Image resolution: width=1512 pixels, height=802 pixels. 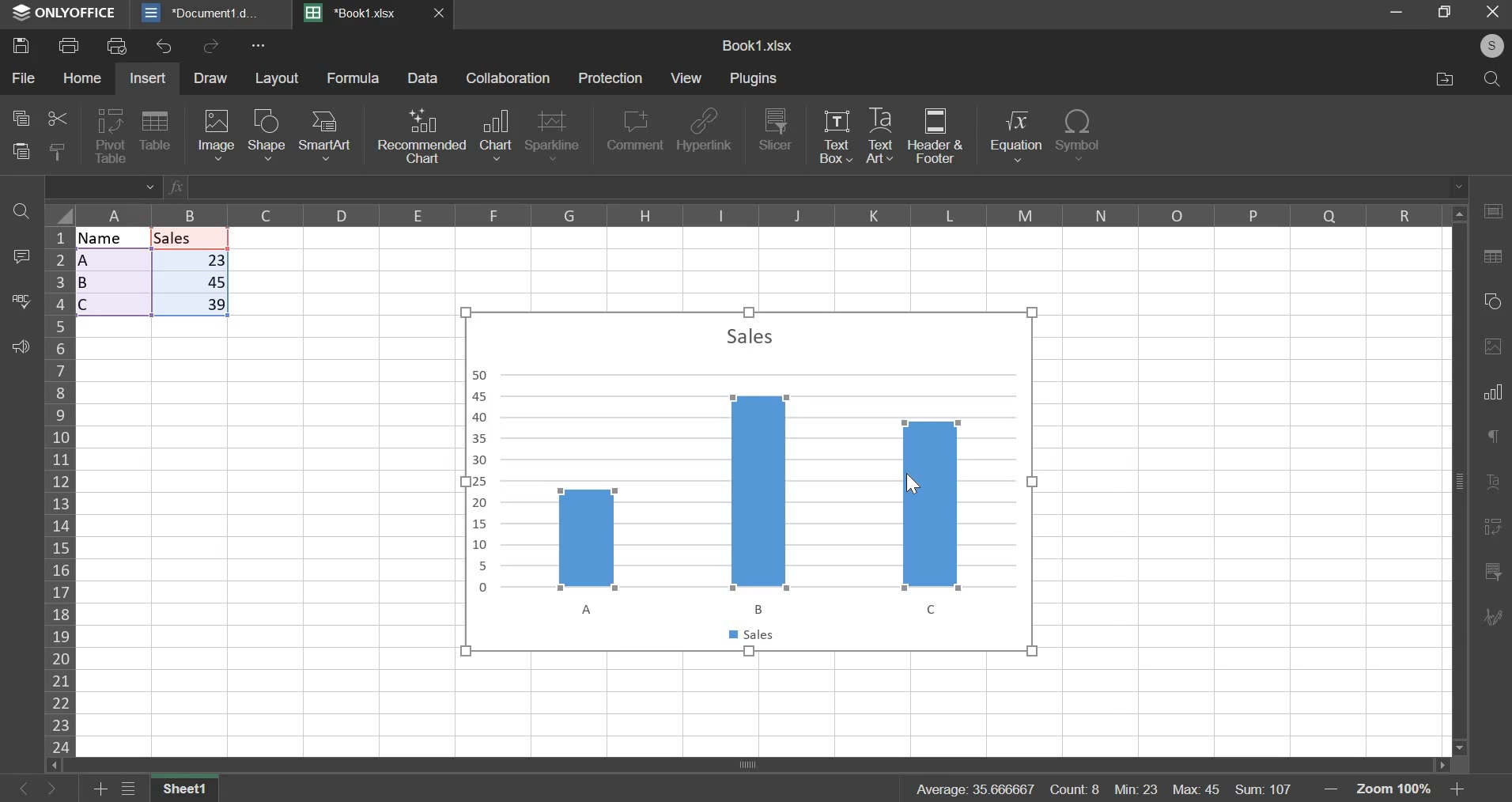 I want to click on Formula, so click(x=175, y=187).